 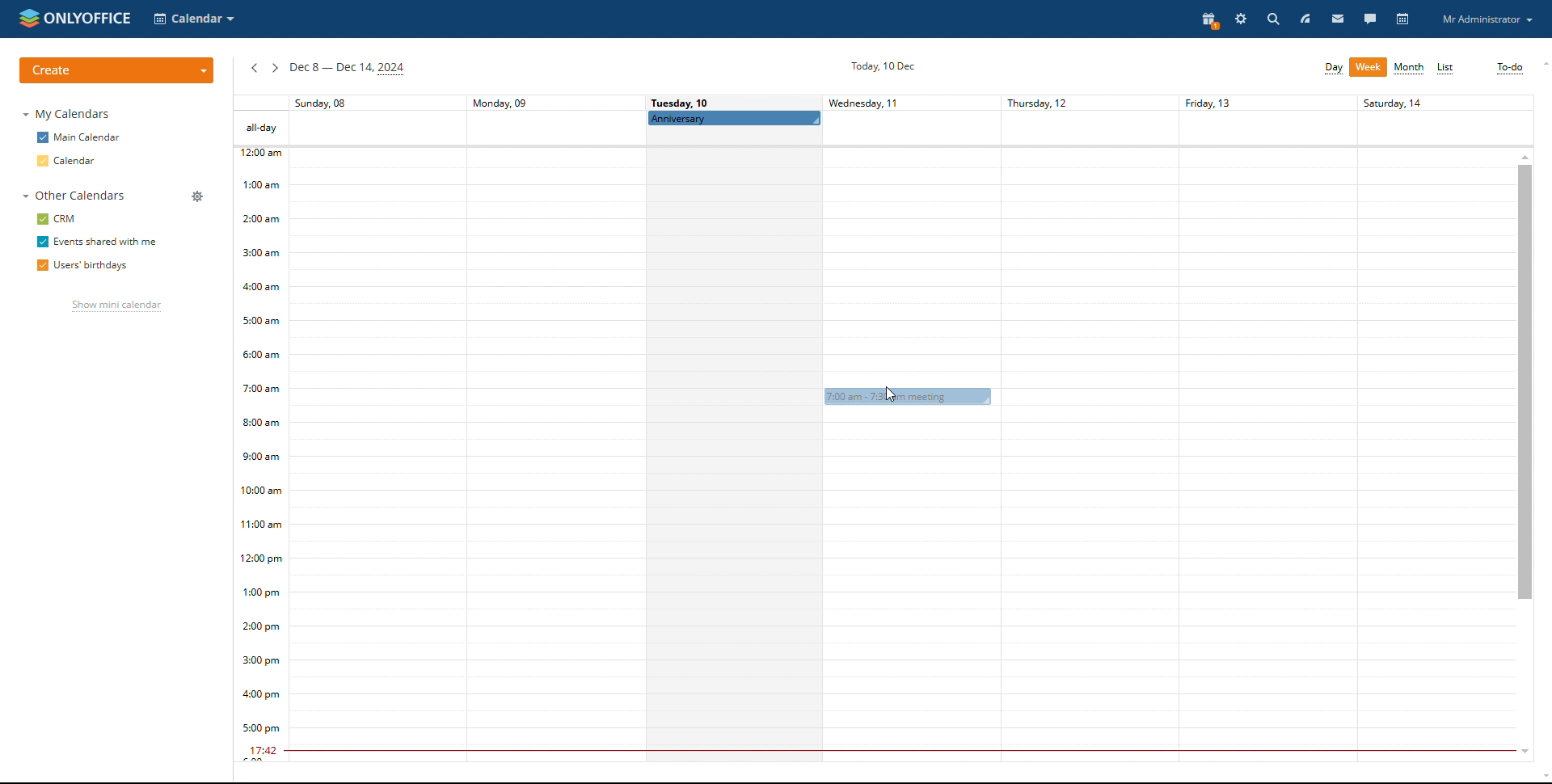 What do you see at coordinates (893, 390) in the screenshot?
I see `cursor` at bounding box center [893, 390].